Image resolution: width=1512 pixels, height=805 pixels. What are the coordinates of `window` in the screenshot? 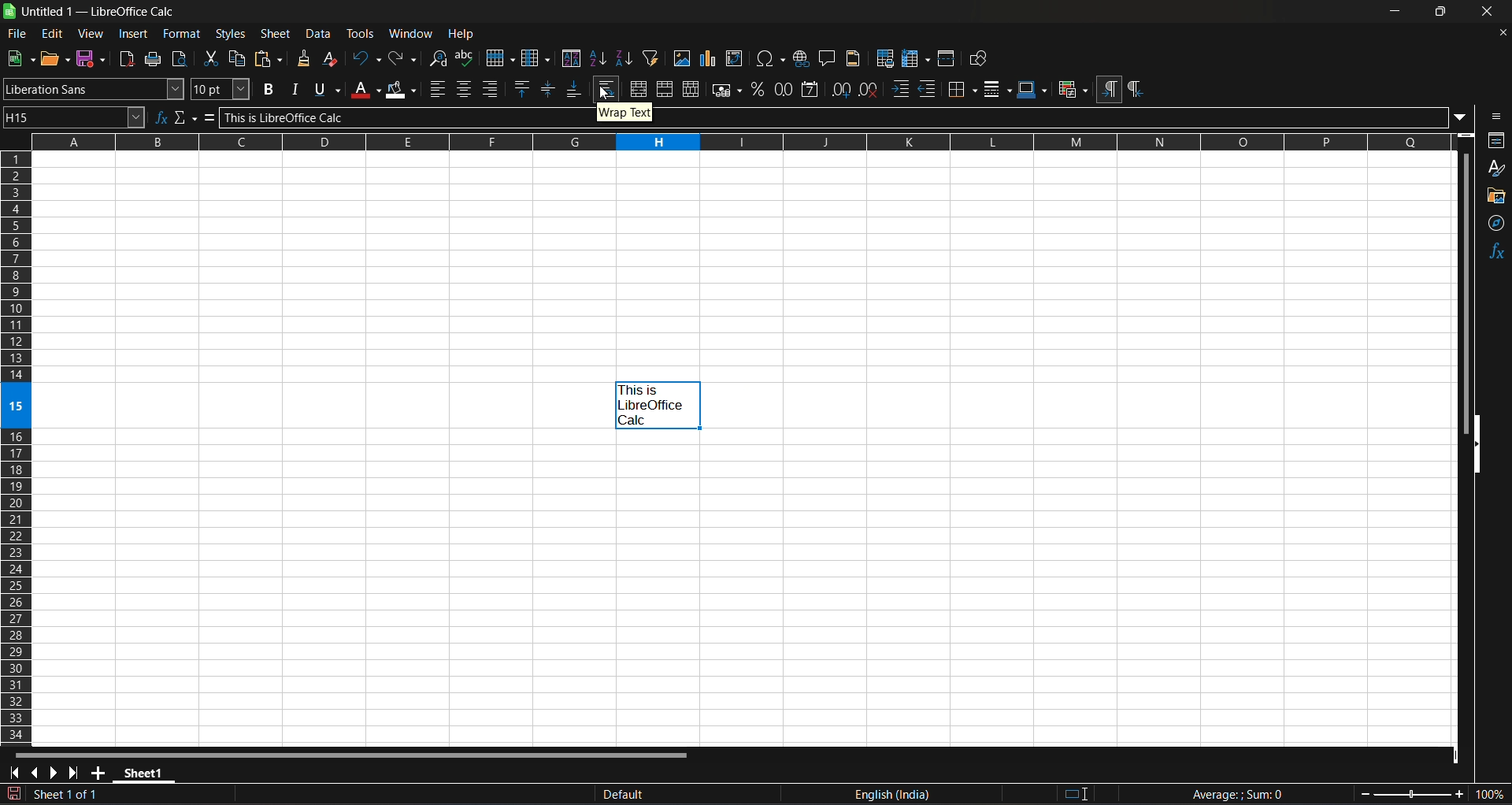 It's located at (411, 33).